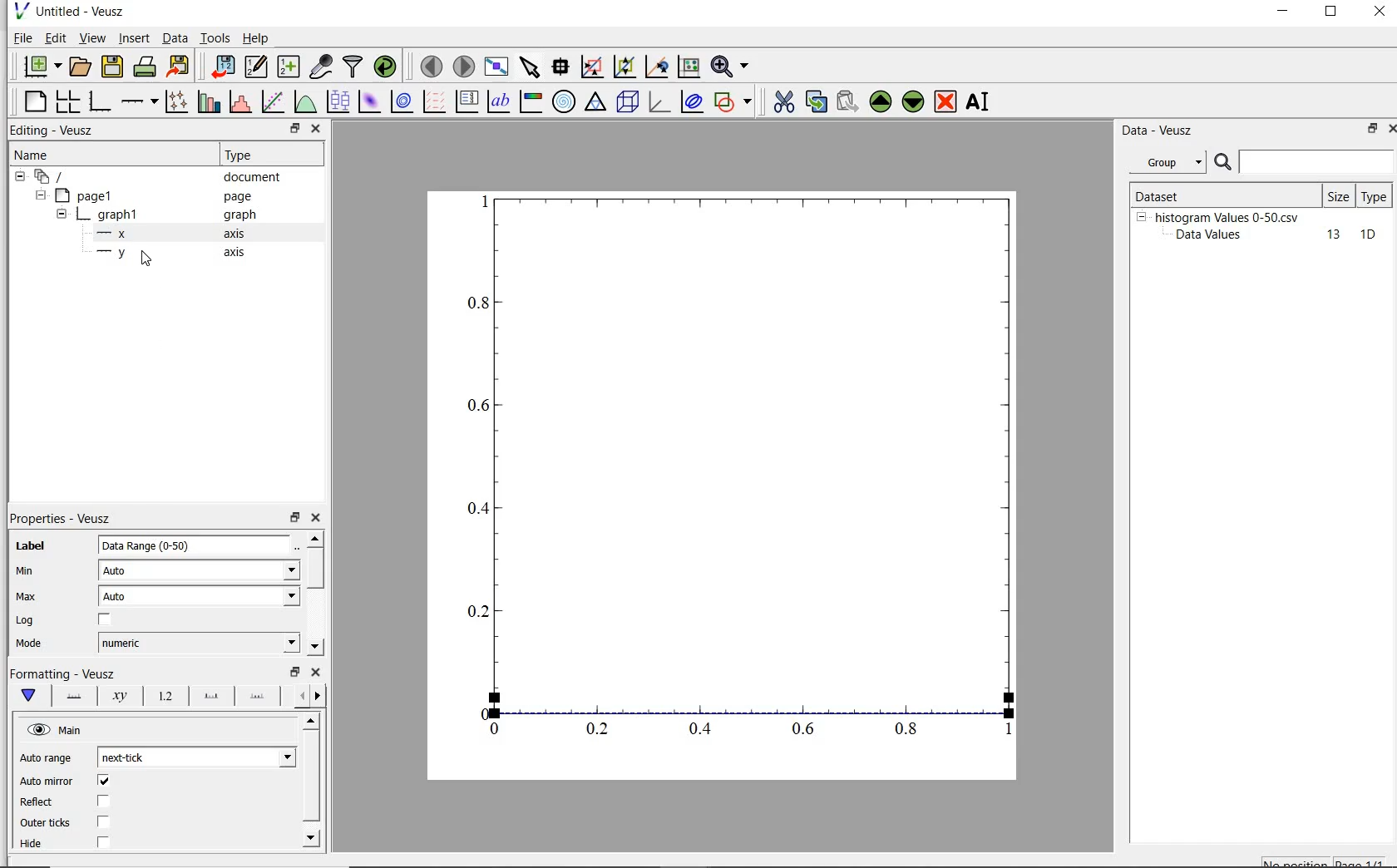 The image size is (1397, 868). What do you see at coordinates (57, 730) in the screenshot?
I see `hide` at bounding box center [57, 730].